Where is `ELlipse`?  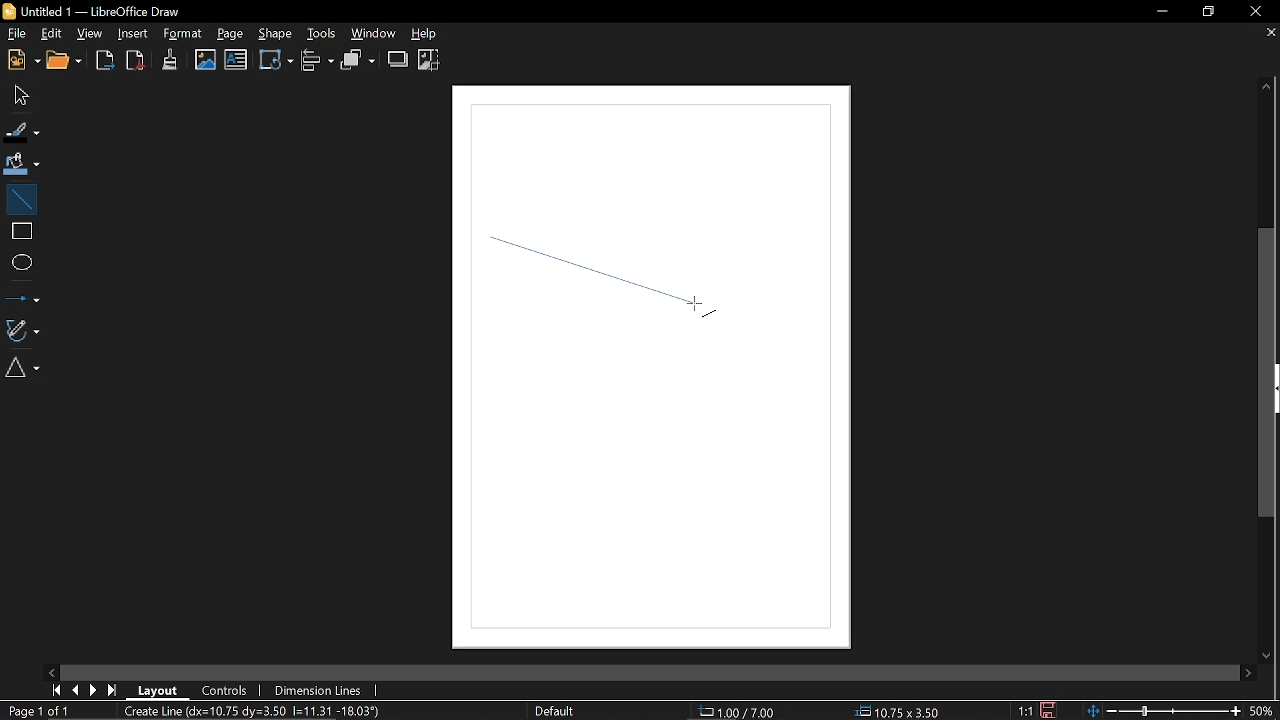
ELlipse is located at coordinates (21, 262).